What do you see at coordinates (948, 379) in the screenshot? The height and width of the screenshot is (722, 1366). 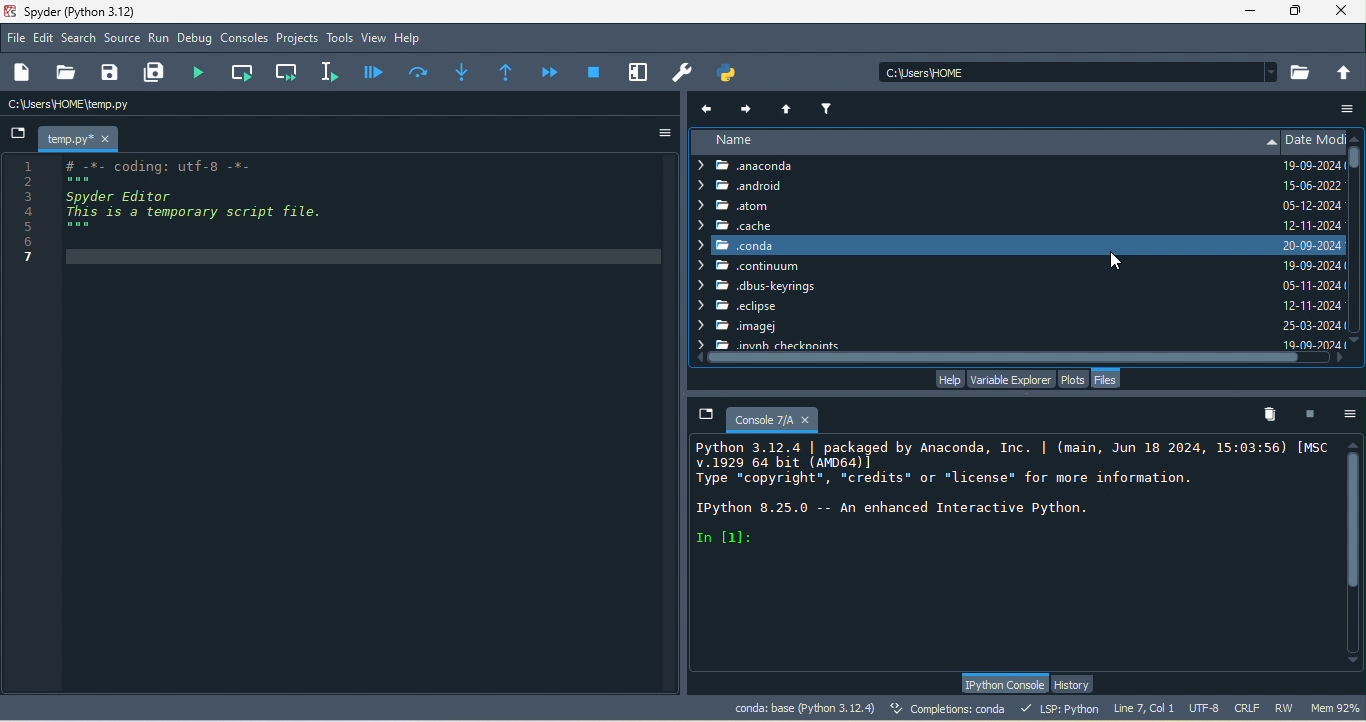 I see `help` at bounding box center [948, 379].